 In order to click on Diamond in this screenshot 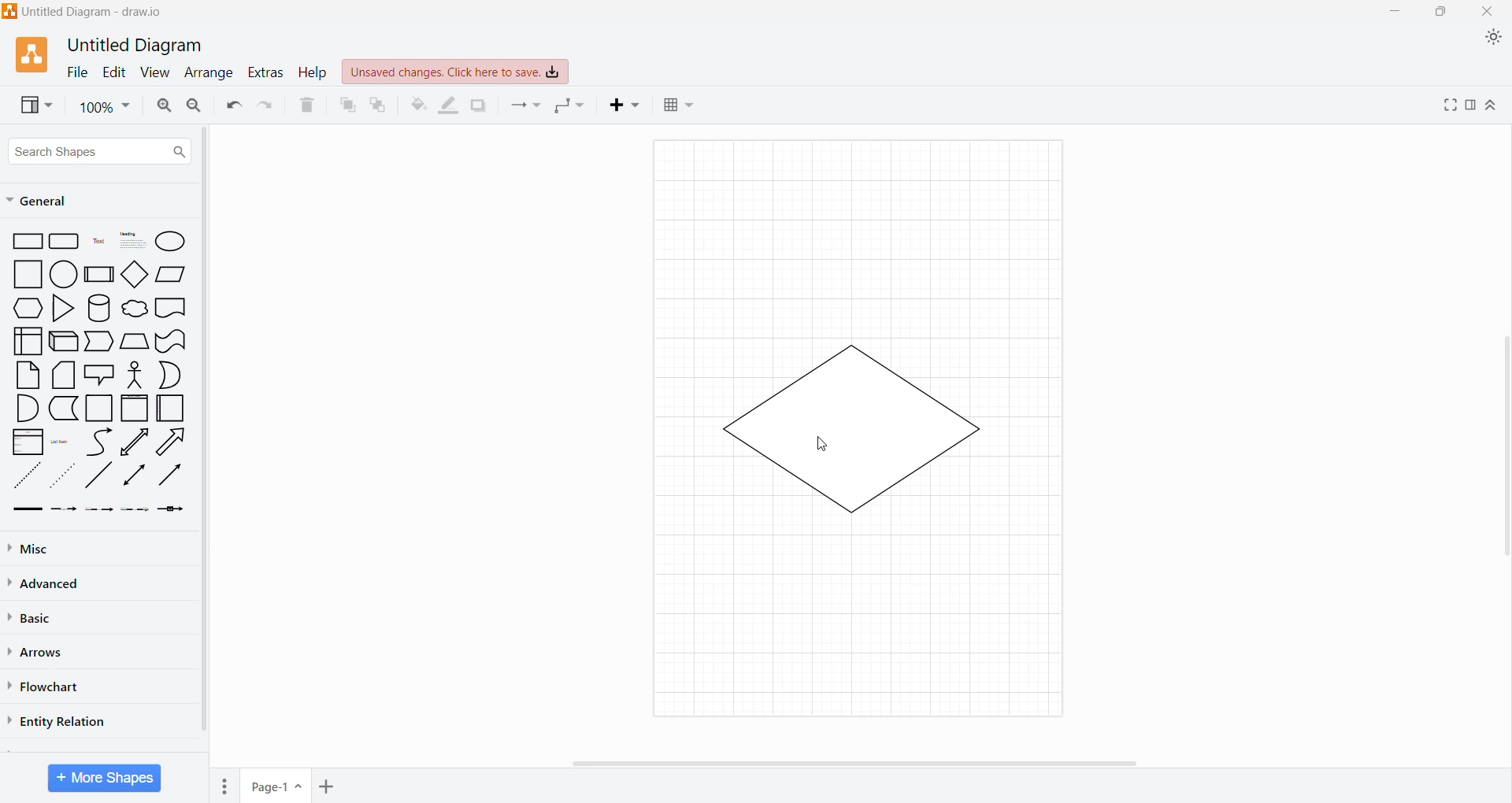, I will do `click(136, 276)`.